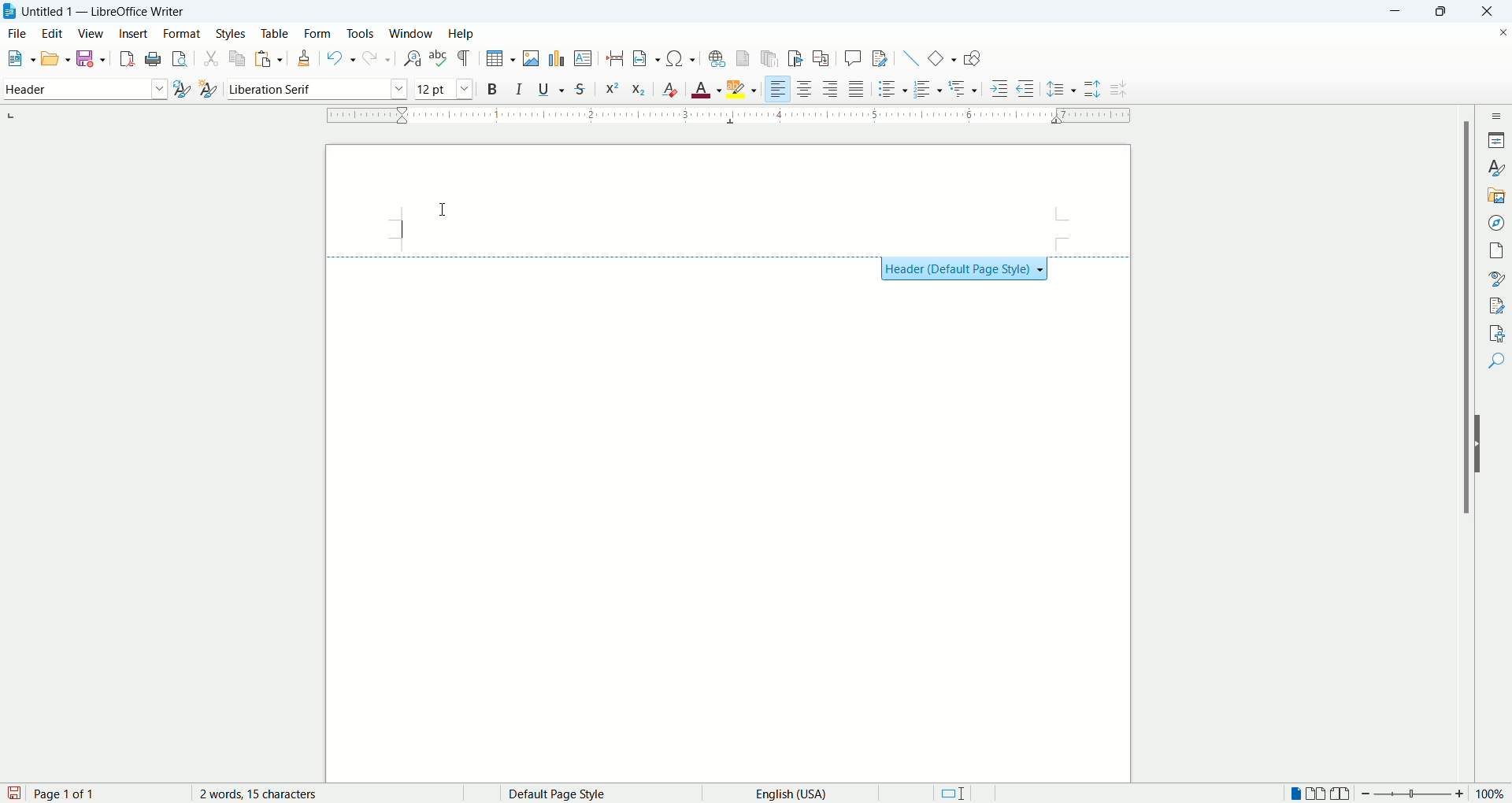 The width and height of the screenshot is (1512, 803). What do you see at coordinates (582, 89) in the screenshot?
I see `strikethrough` at bounding box center [582, 89].